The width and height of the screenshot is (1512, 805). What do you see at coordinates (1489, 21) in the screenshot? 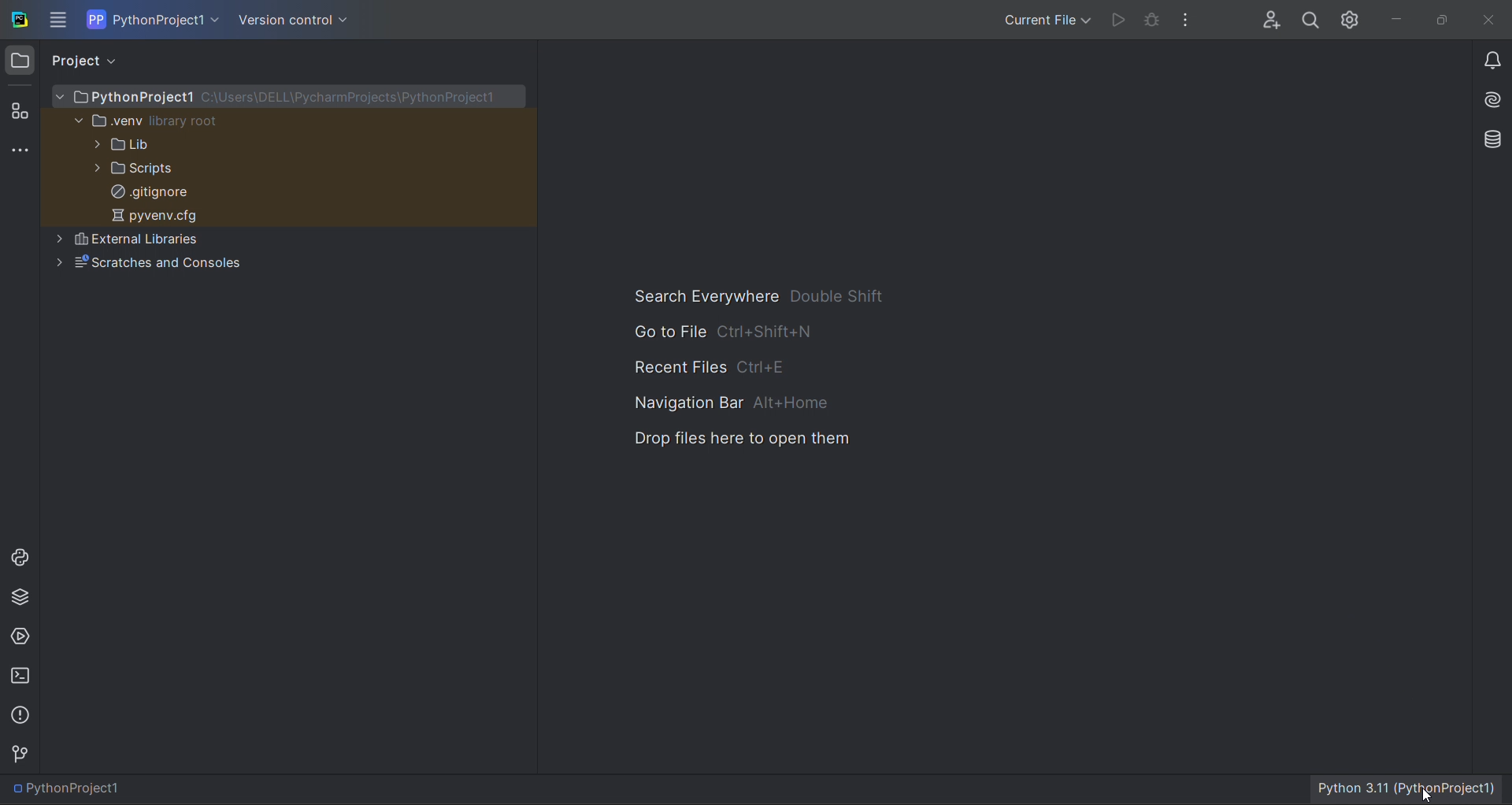
I see `close` at bounding box center [1489, 21].